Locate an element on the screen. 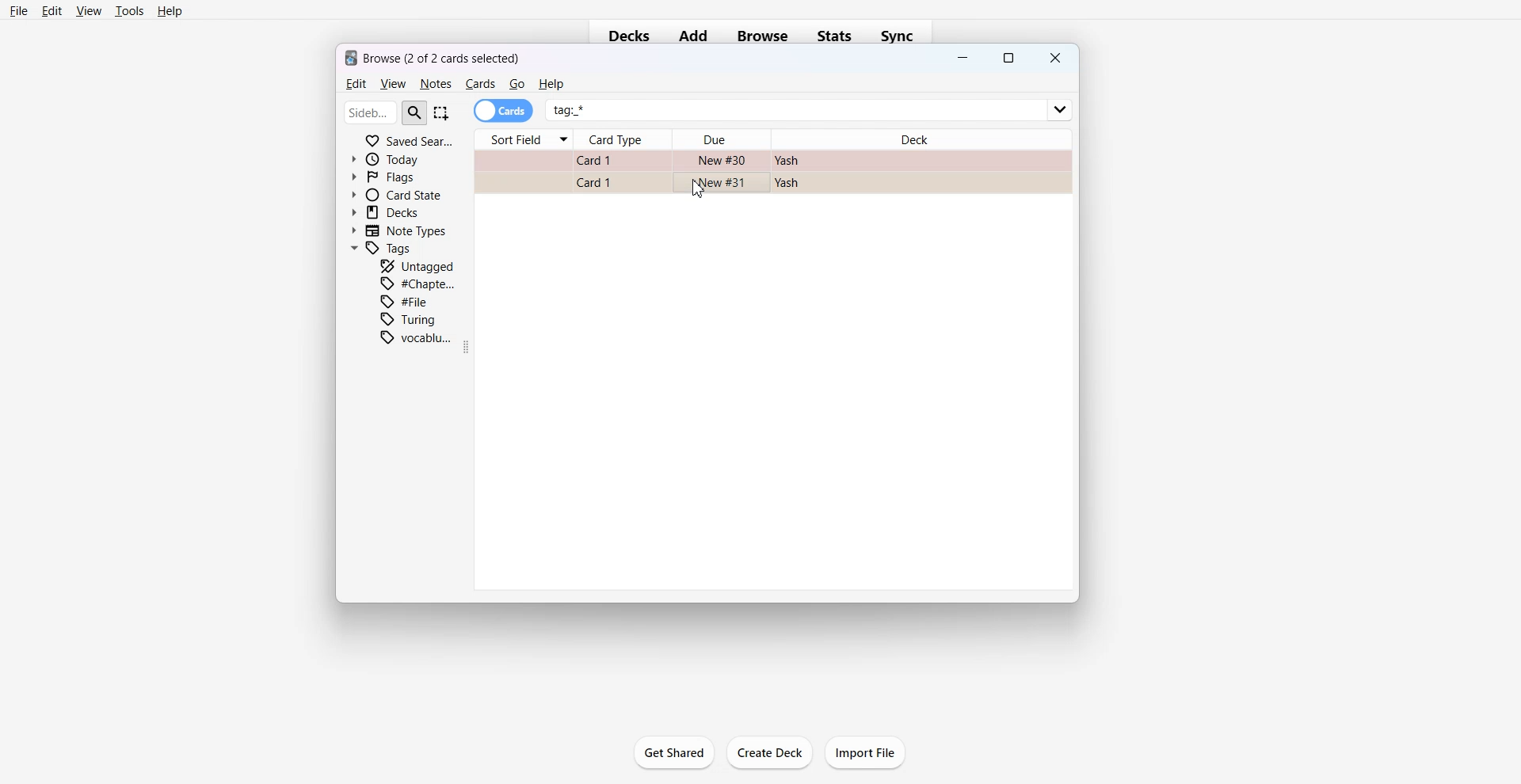 The image size is (1521, 784). Today is located at coordinates (389, 159).